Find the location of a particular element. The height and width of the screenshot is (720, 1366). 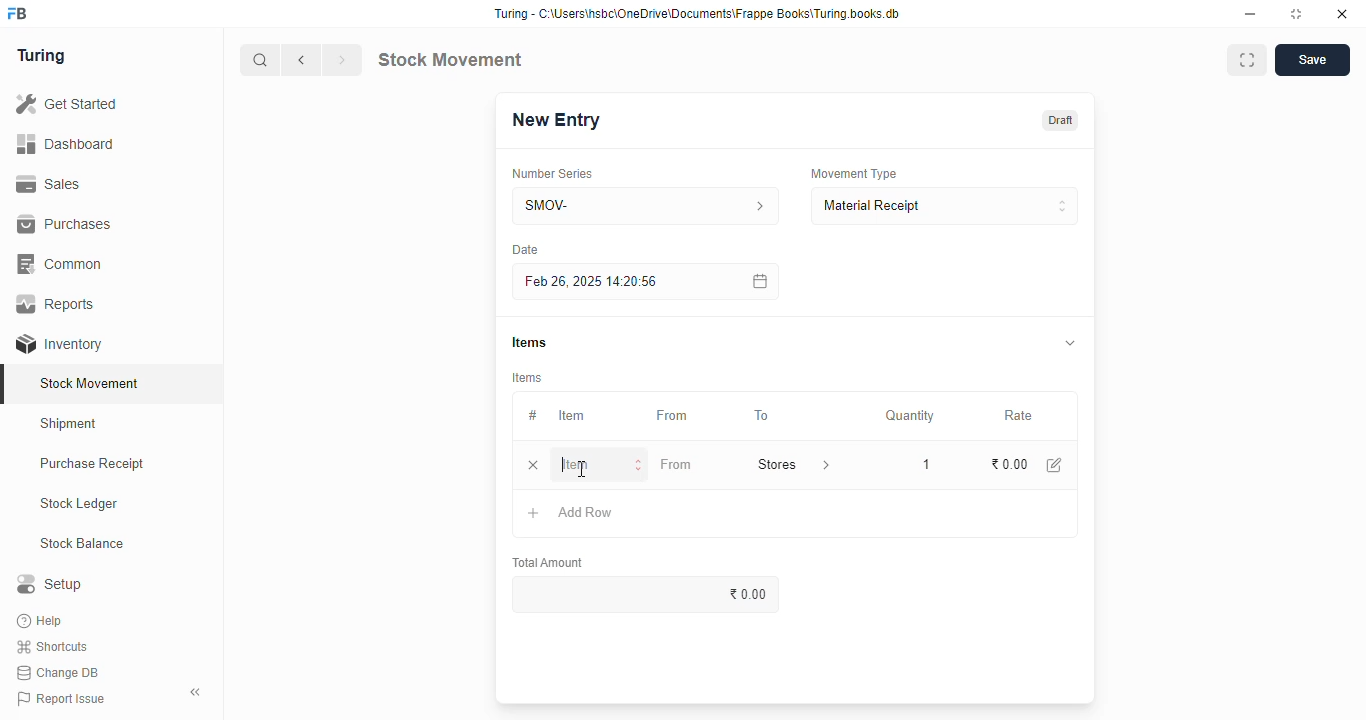

toggle maximize is located at coordinates (1295, 14).